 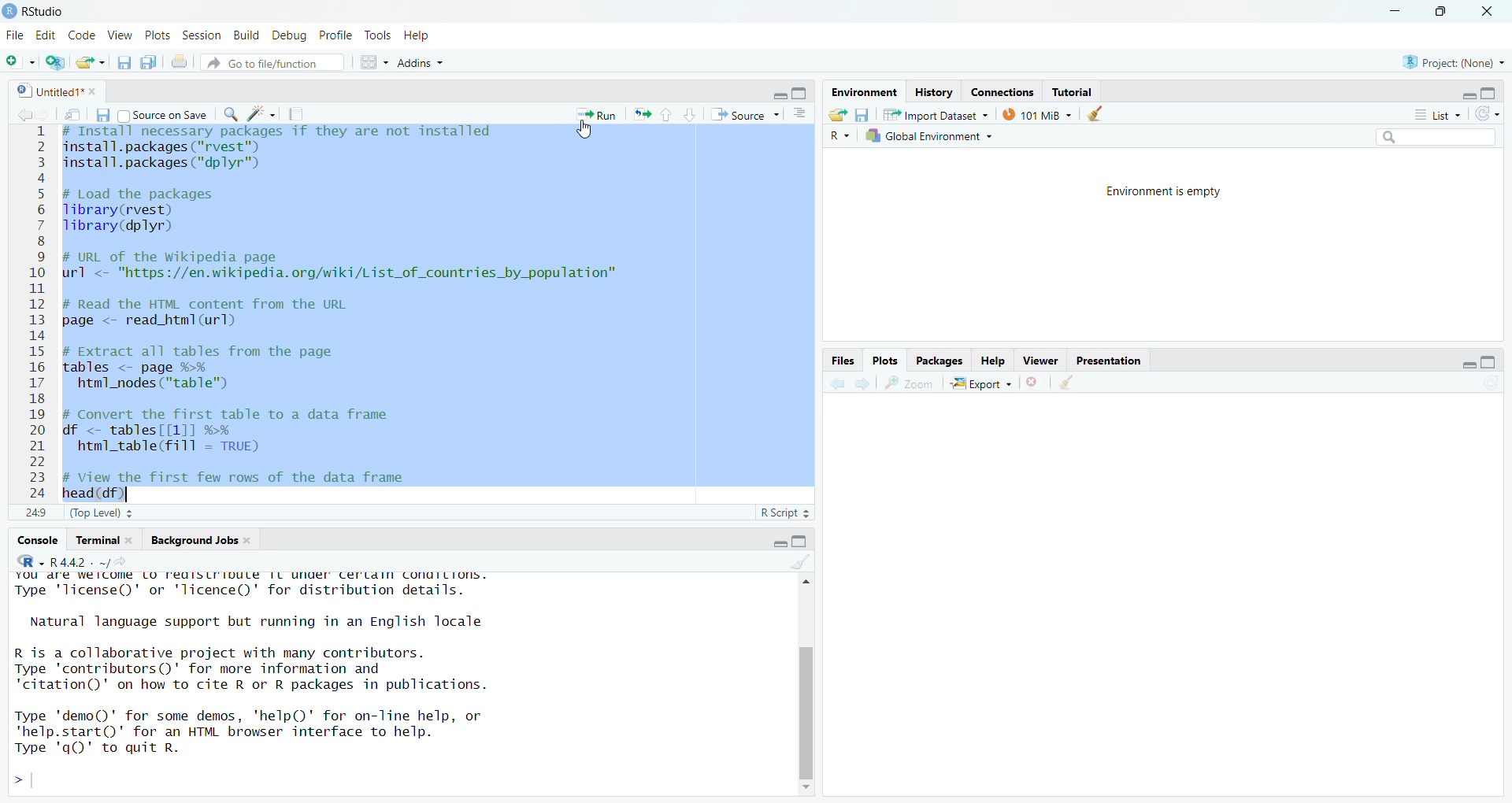 What do you see at coordinates (1486, 12) in the screenshot?
I see `close` at bounding box center [1486, 12].